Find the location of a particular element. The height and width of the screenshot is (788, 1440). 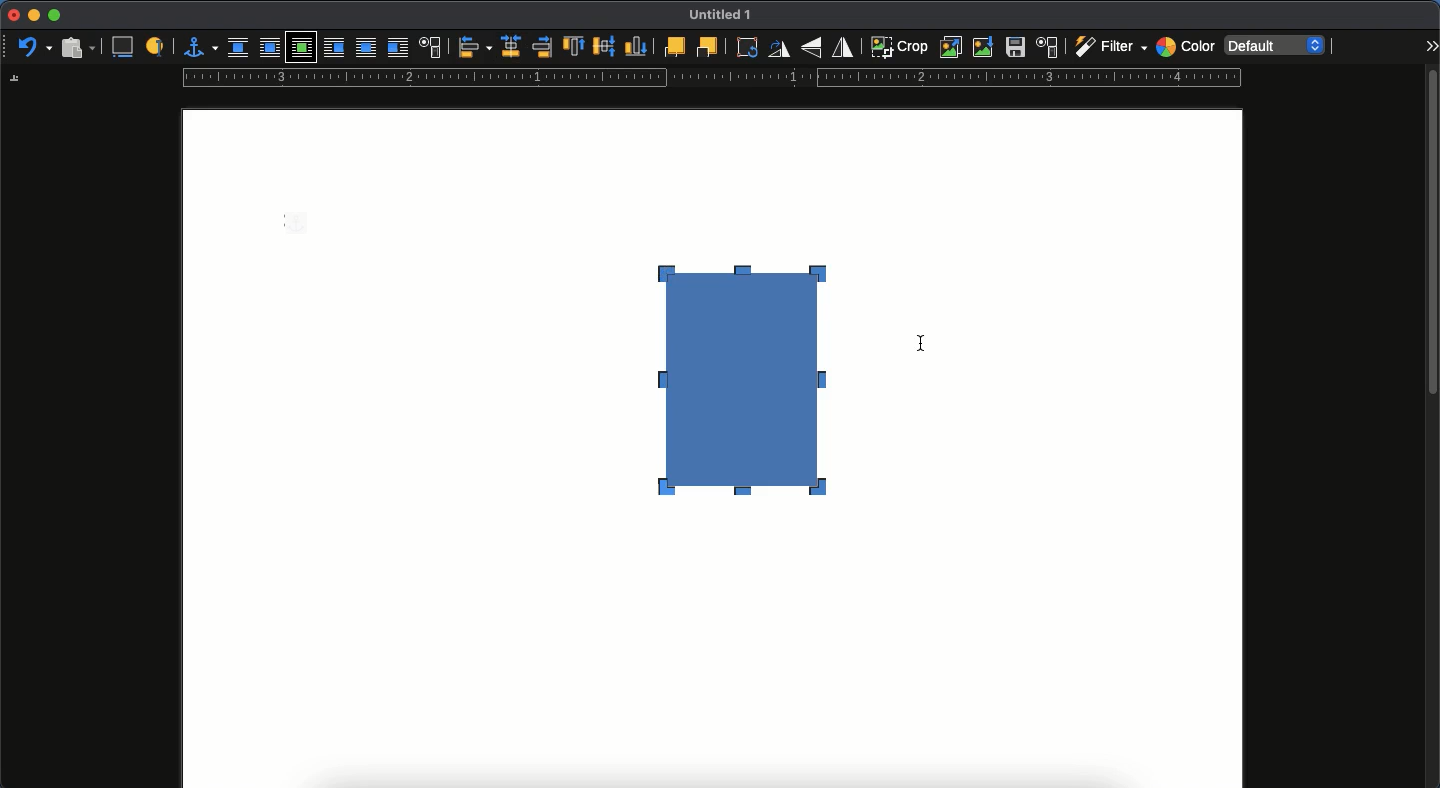

flip vertically  is located at coordinates (814, 47).